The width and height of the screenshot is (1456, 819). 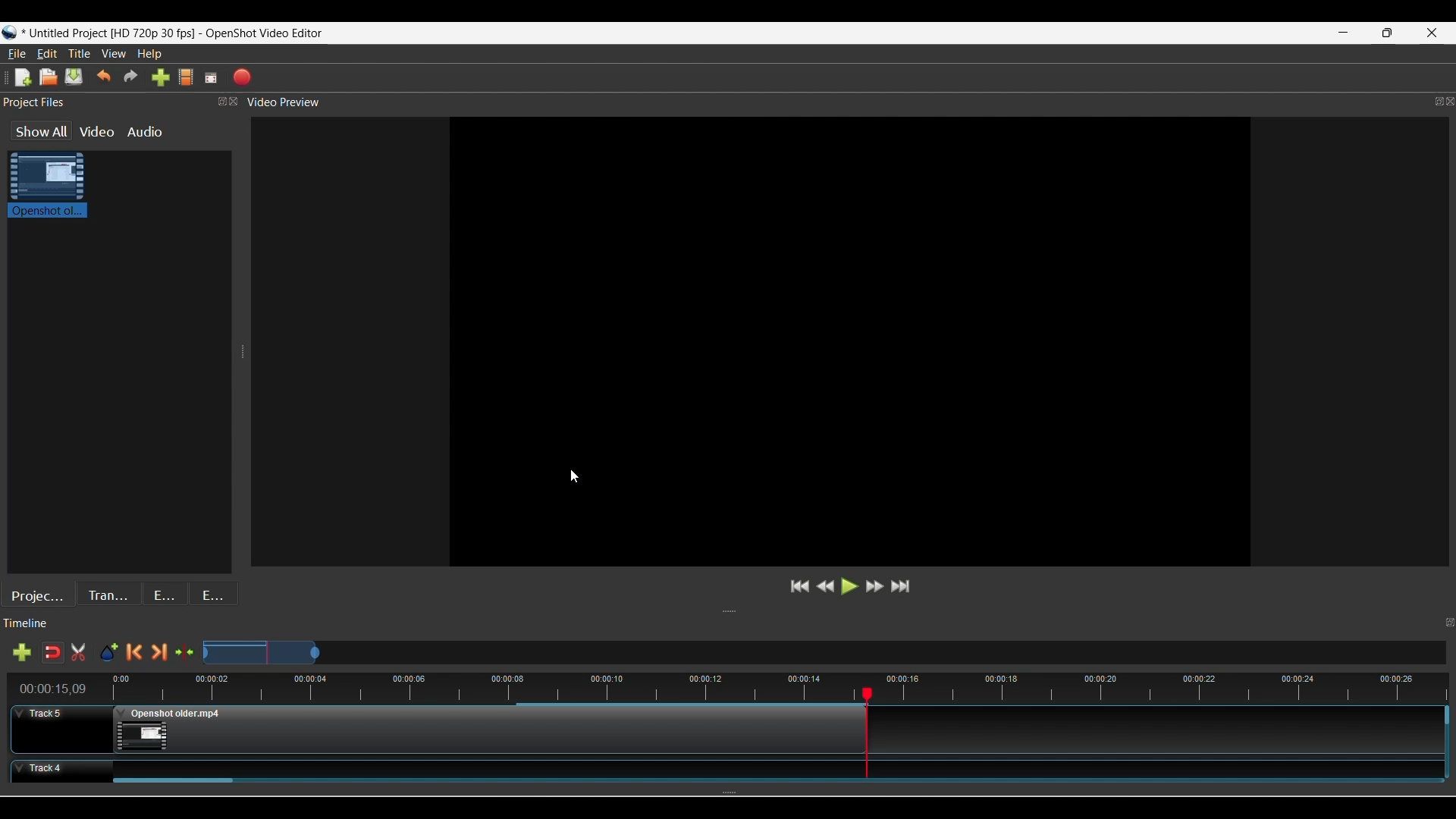 I want to click on File, so click(x=17, y=54).